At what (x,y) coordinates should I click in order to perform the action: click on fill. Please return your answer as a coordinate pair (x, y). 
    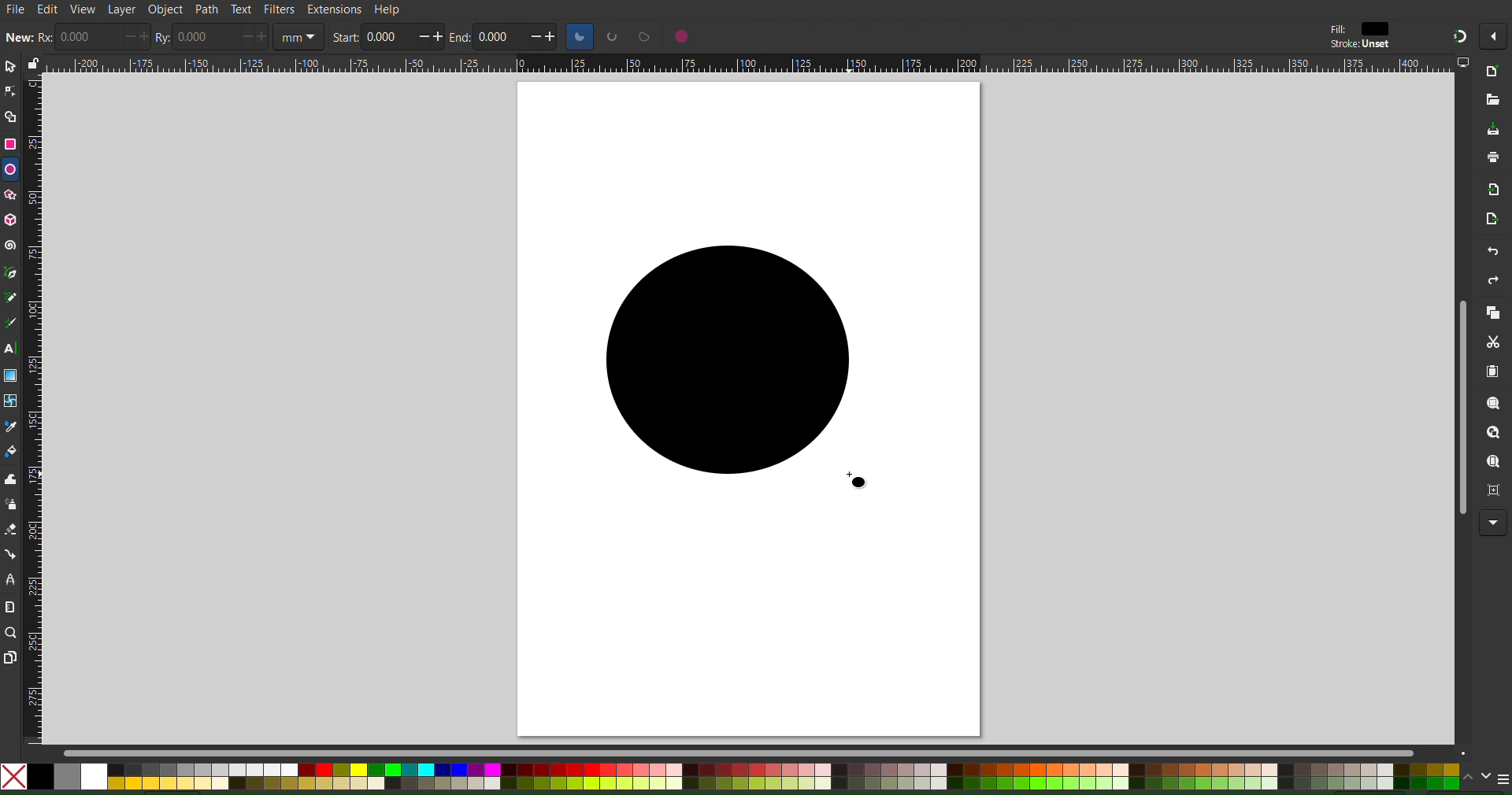
    Looking at the image, I should click on (1332, 29).